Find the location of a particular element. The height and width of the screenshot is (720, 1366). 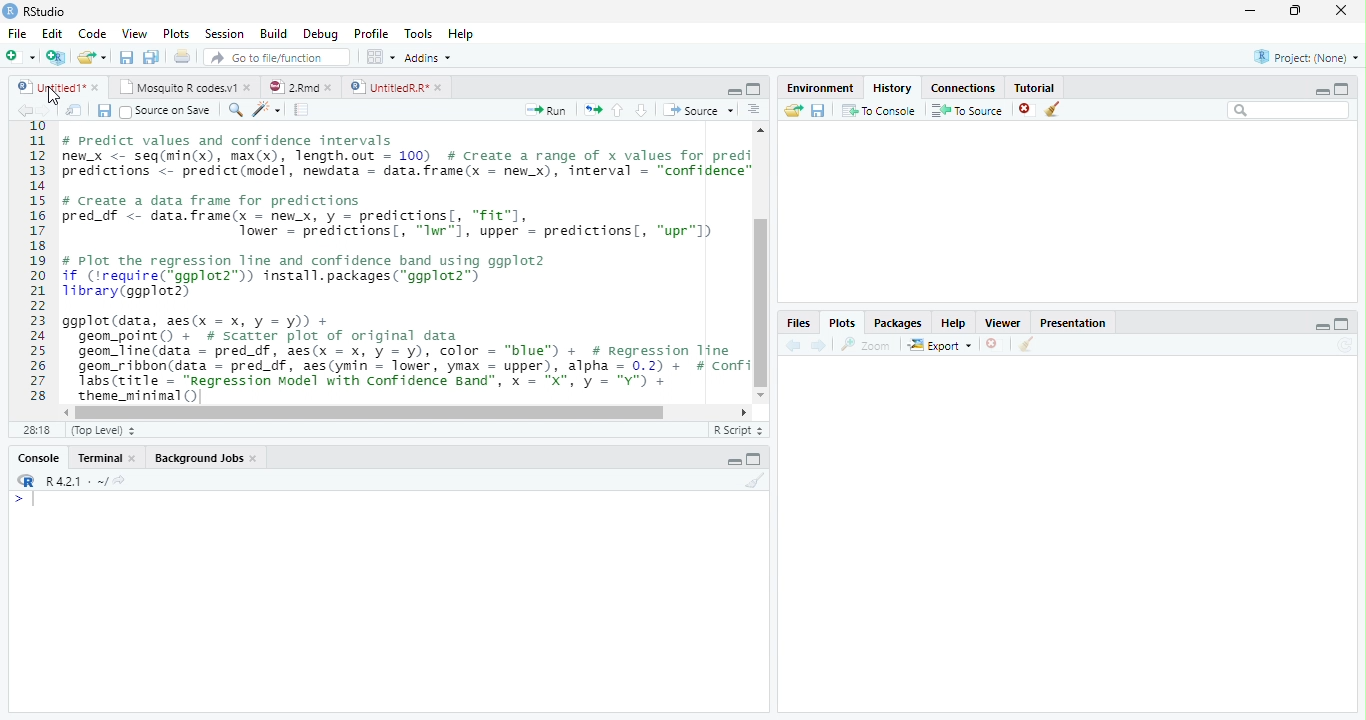

Load workspace is located at coordinates (793, 113).